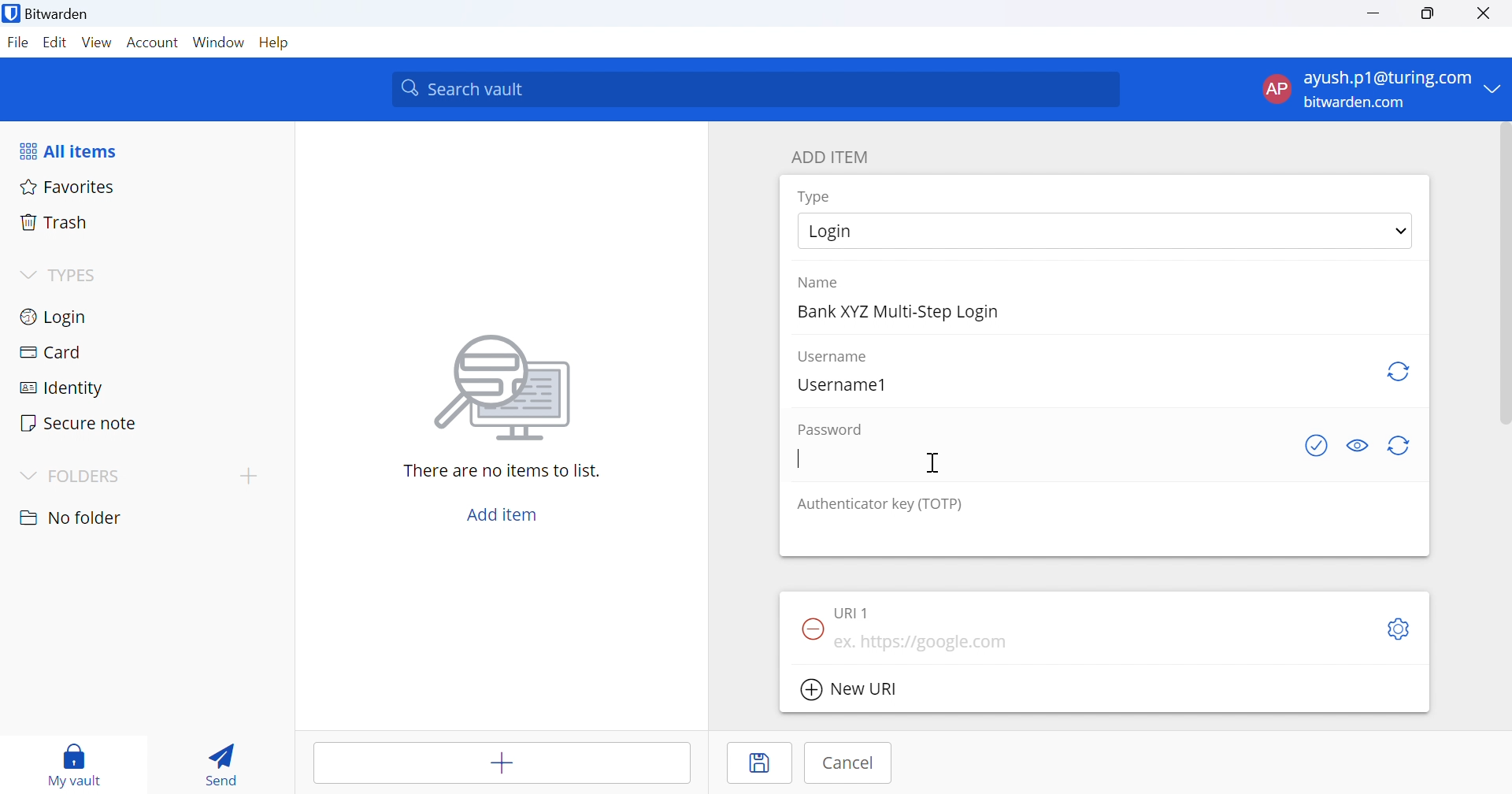 The height and width of the screenshot is (794, 1512). Describe the element at coordinates (504, 762) in the screenshot. I see `Add item` at that location.